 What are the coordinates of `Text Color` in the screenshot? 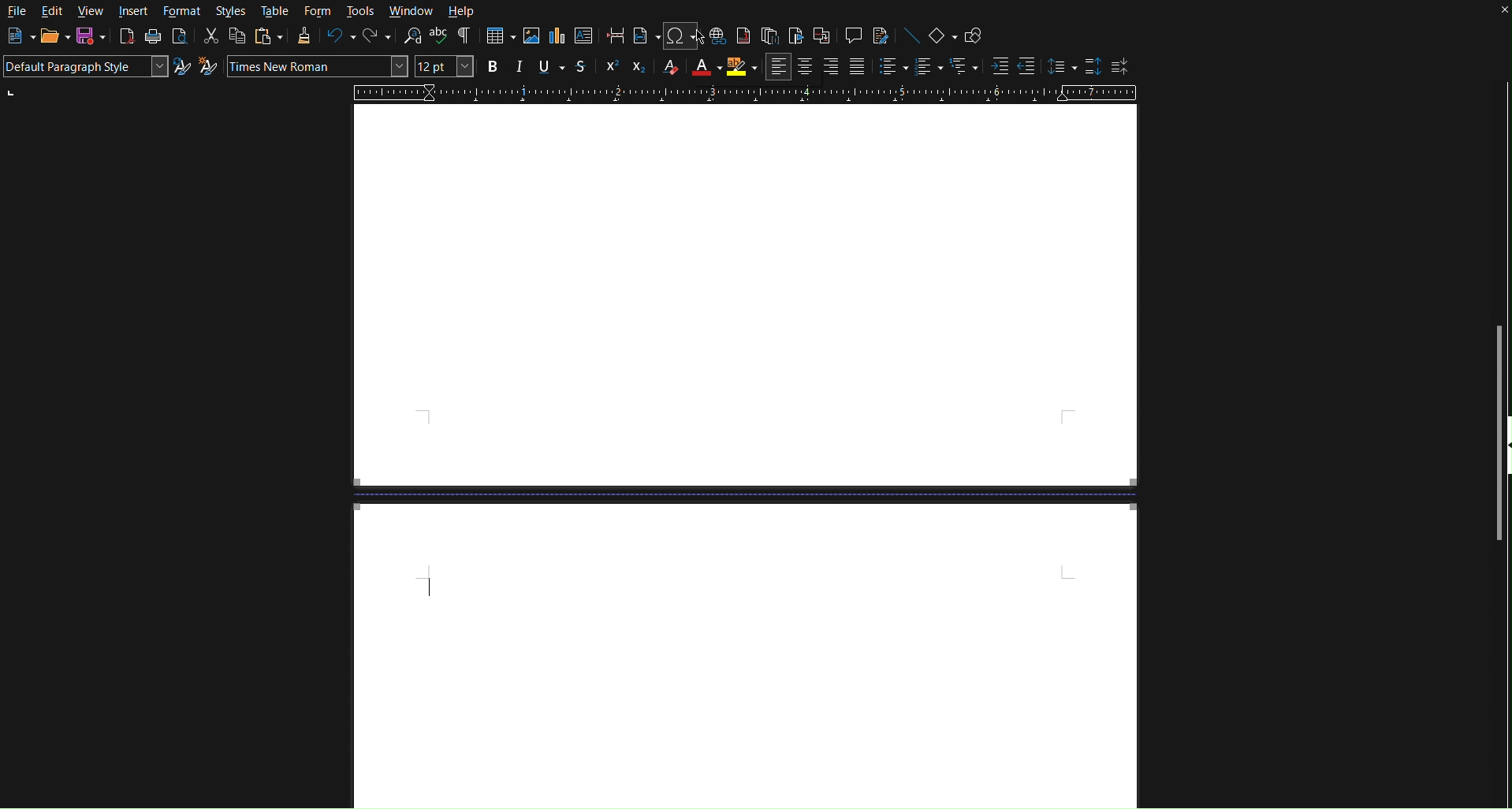 It's located at (701, 68).